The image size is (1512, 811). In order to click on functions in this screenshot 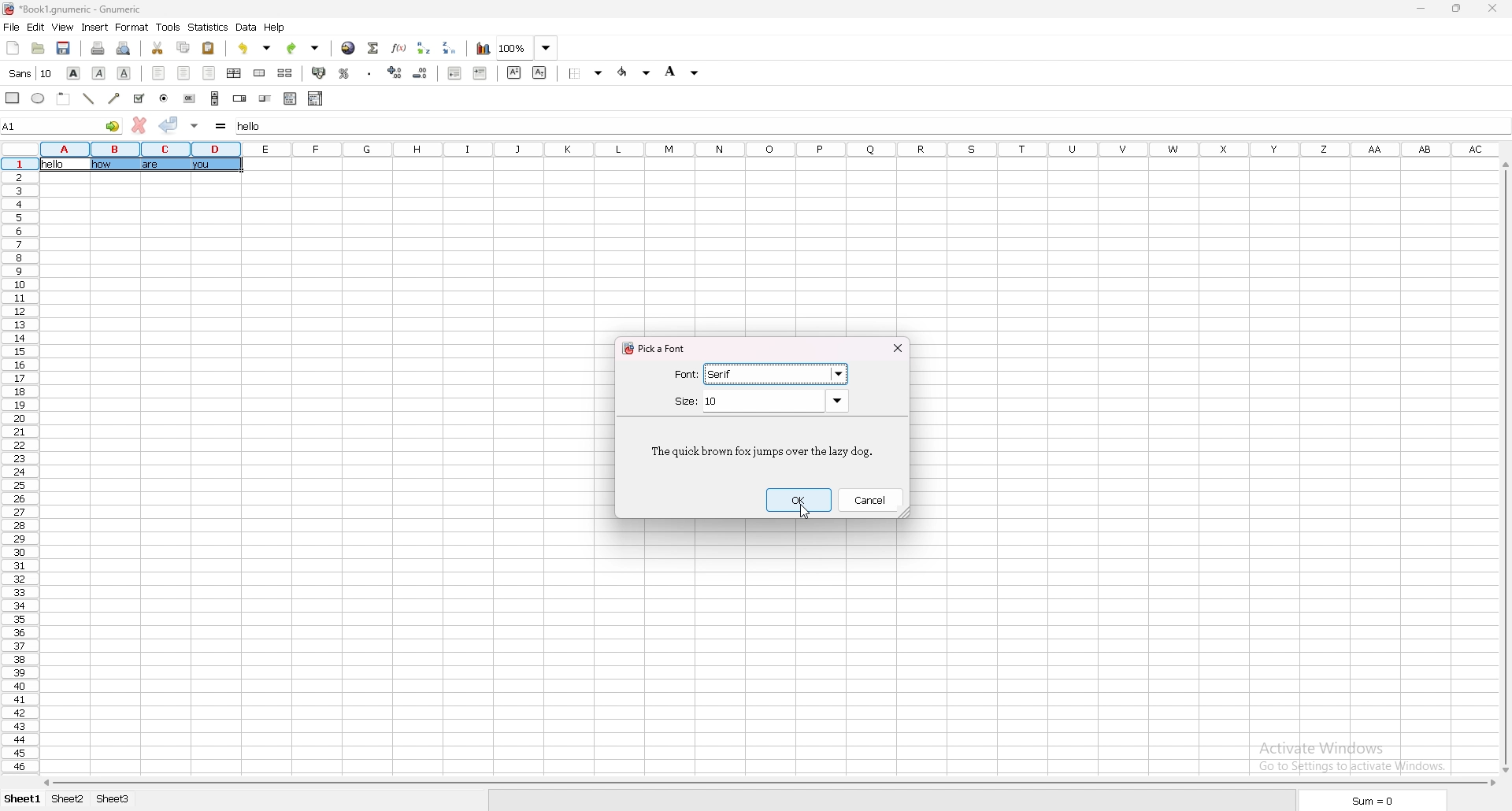, I will do `click(399, 47)`.